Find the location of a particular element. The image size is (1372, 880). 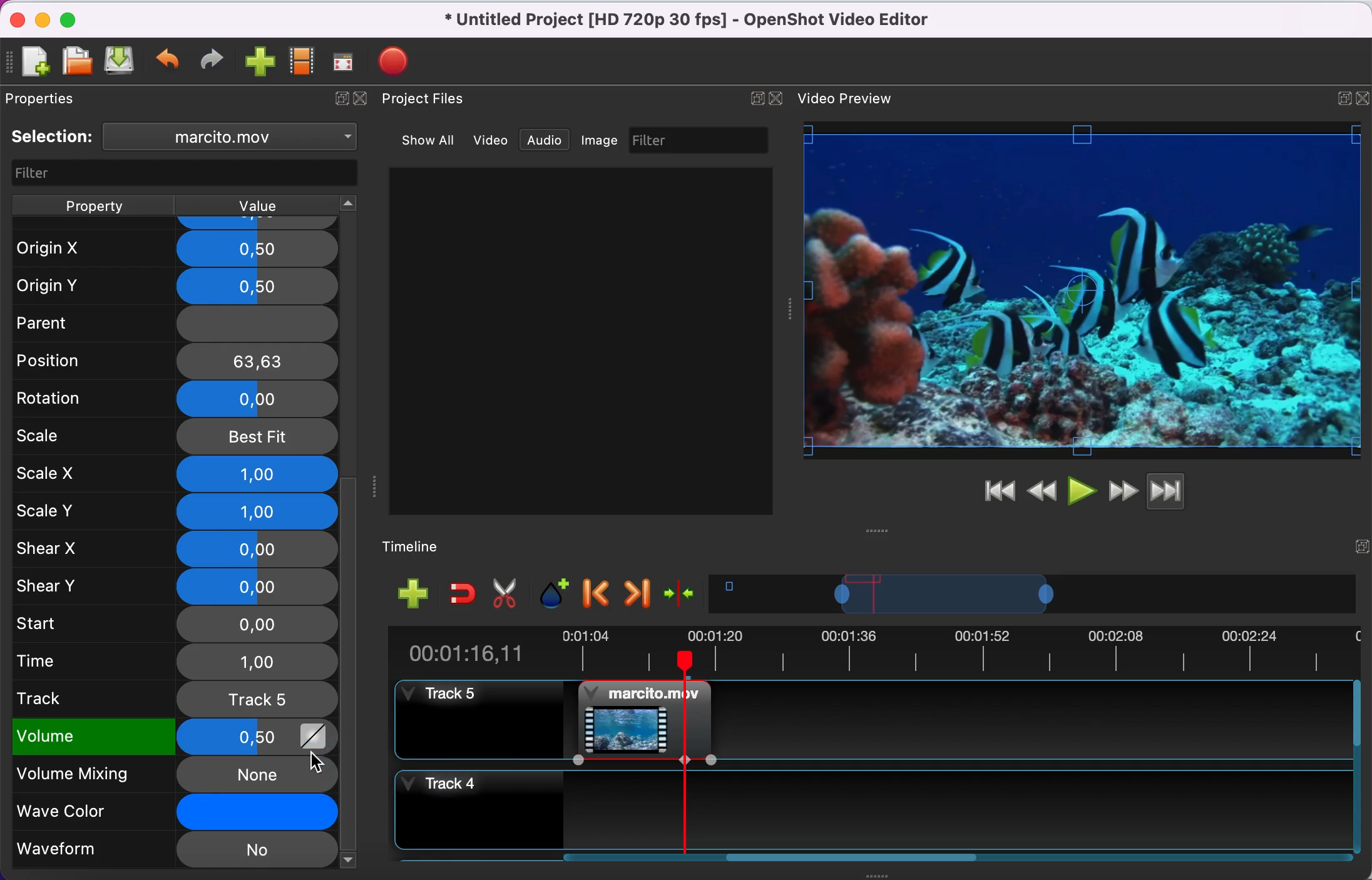

timeline is located at coordinates (1036, 597).